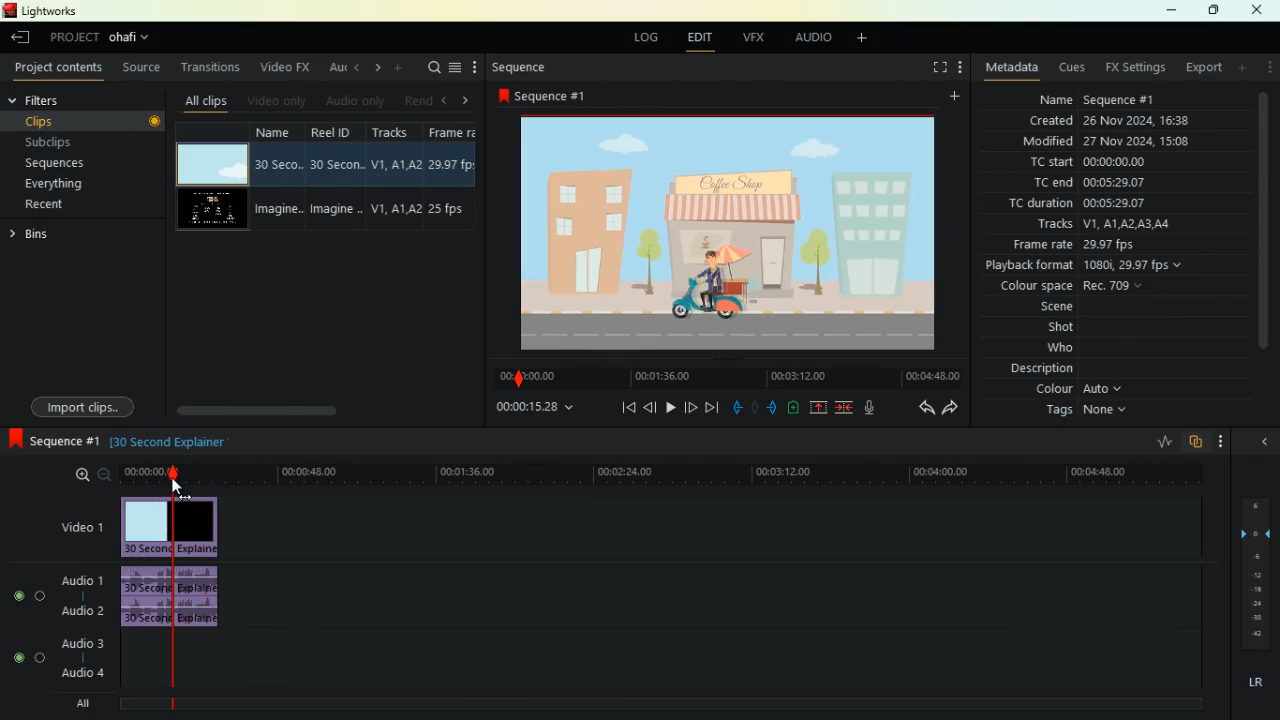 The image size is (1280, 720). Describe the element at coordinates (1203, 68) in the screenshot. I see `export` at that location.